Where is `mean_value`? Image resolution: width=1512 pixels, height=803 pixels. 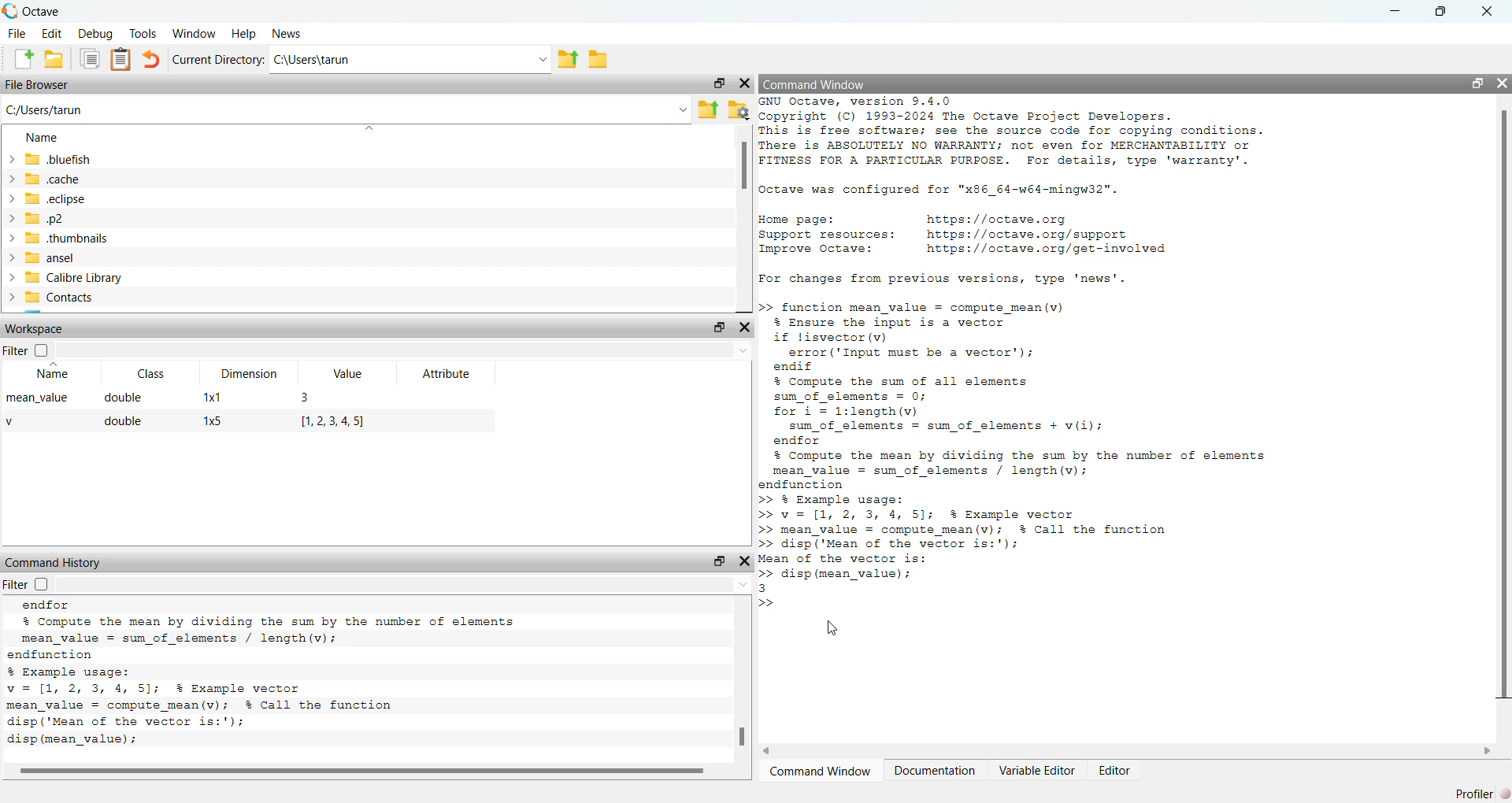
mean_value is located at coordinates (38, 398).